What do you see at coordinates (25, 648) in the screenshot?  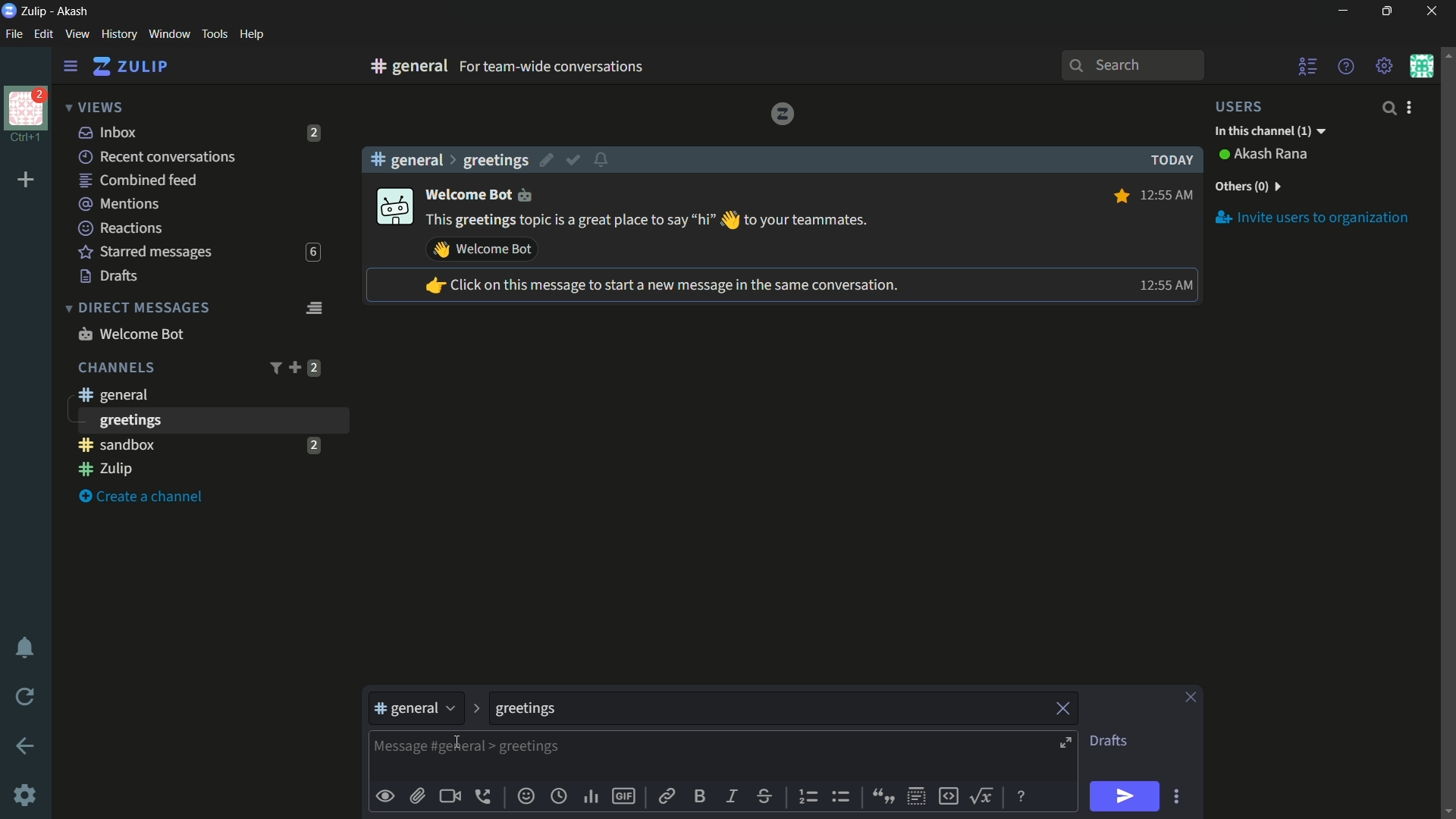 I see `enable DND` at bounding box center [25, 648].